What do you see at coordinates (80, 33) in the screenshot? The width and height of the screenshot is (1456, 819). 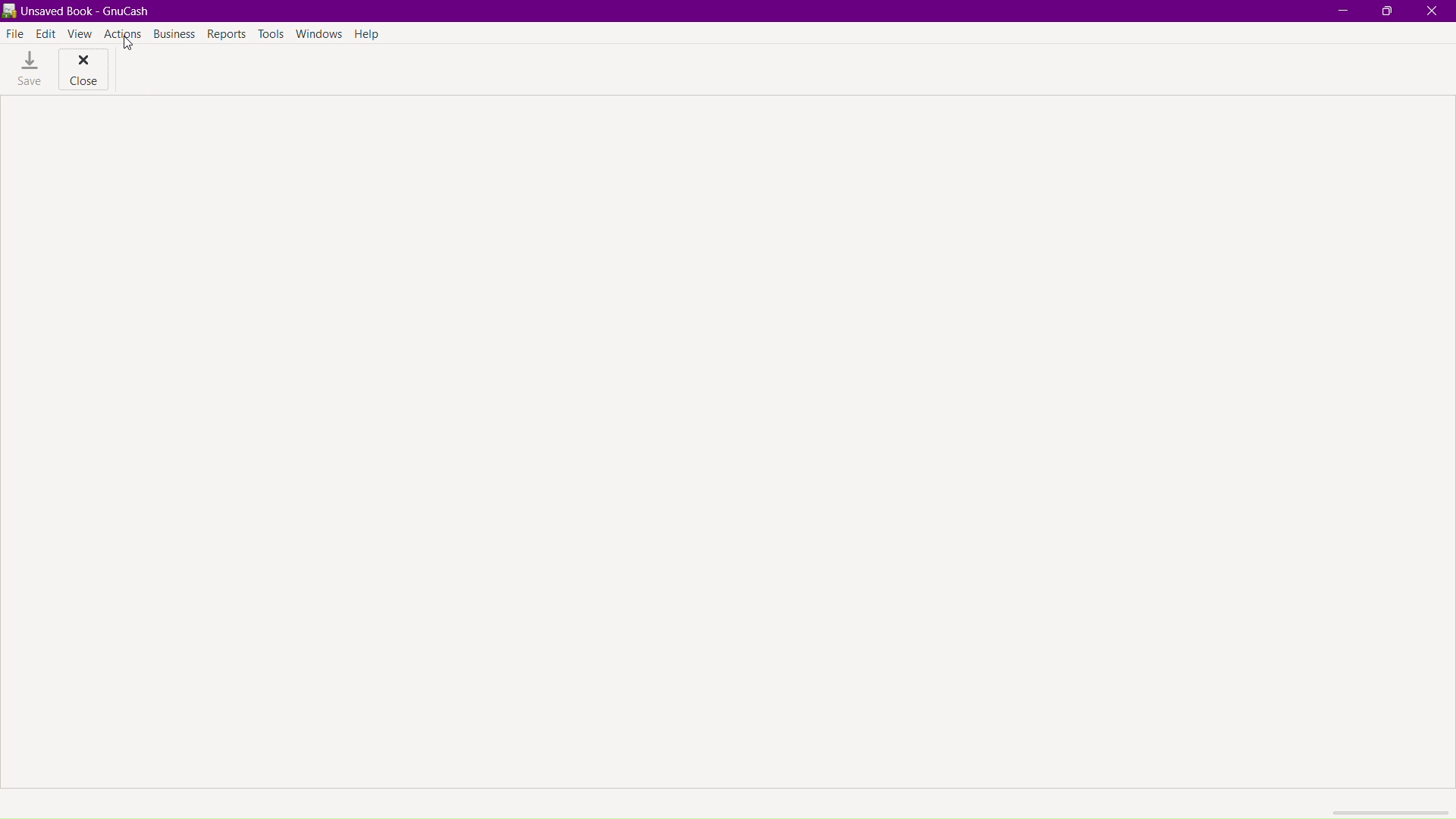 I see `View` at bounding box center [80, 33].